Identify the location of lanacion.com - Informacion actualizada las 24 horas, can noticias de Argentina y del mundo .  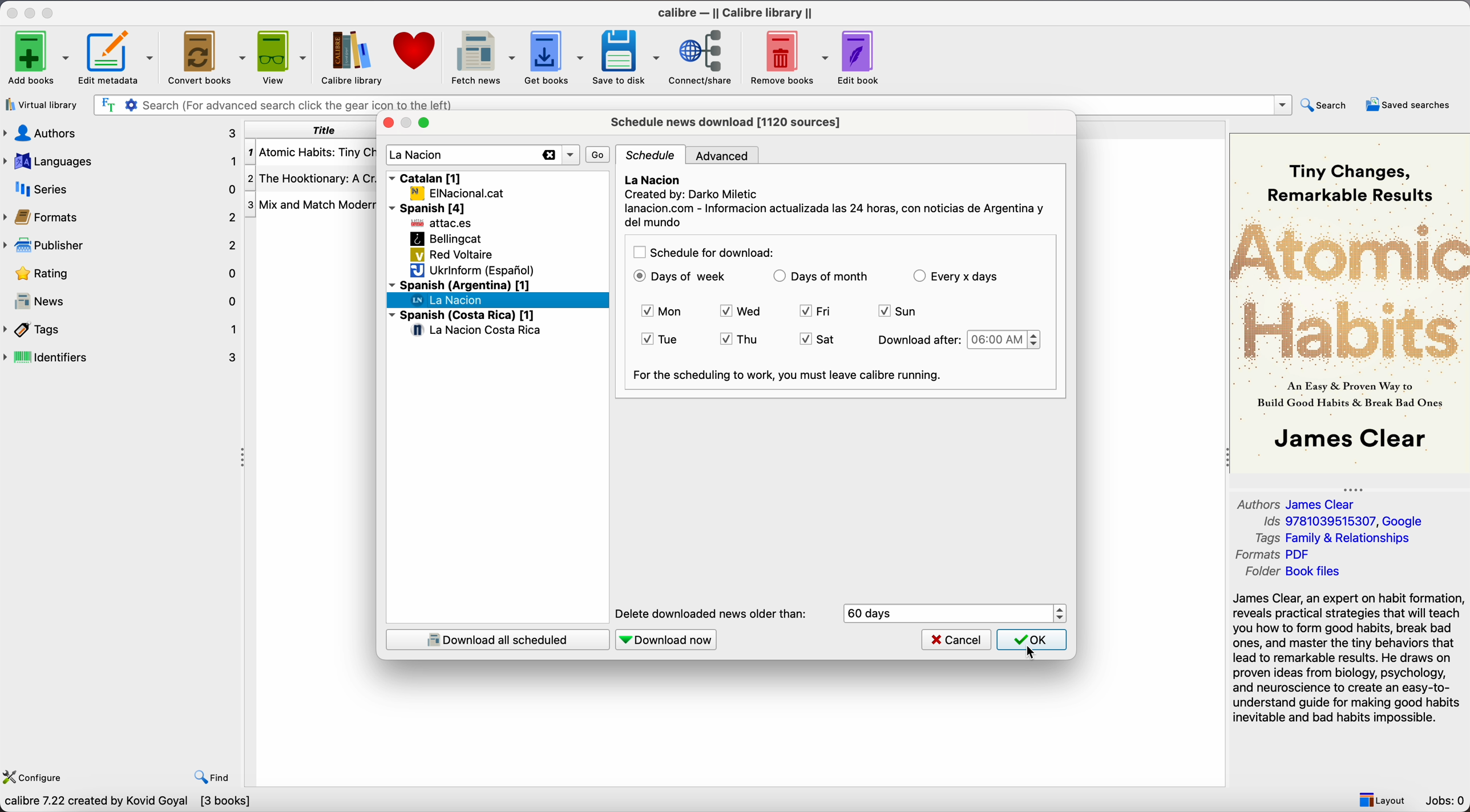
(835, 216).